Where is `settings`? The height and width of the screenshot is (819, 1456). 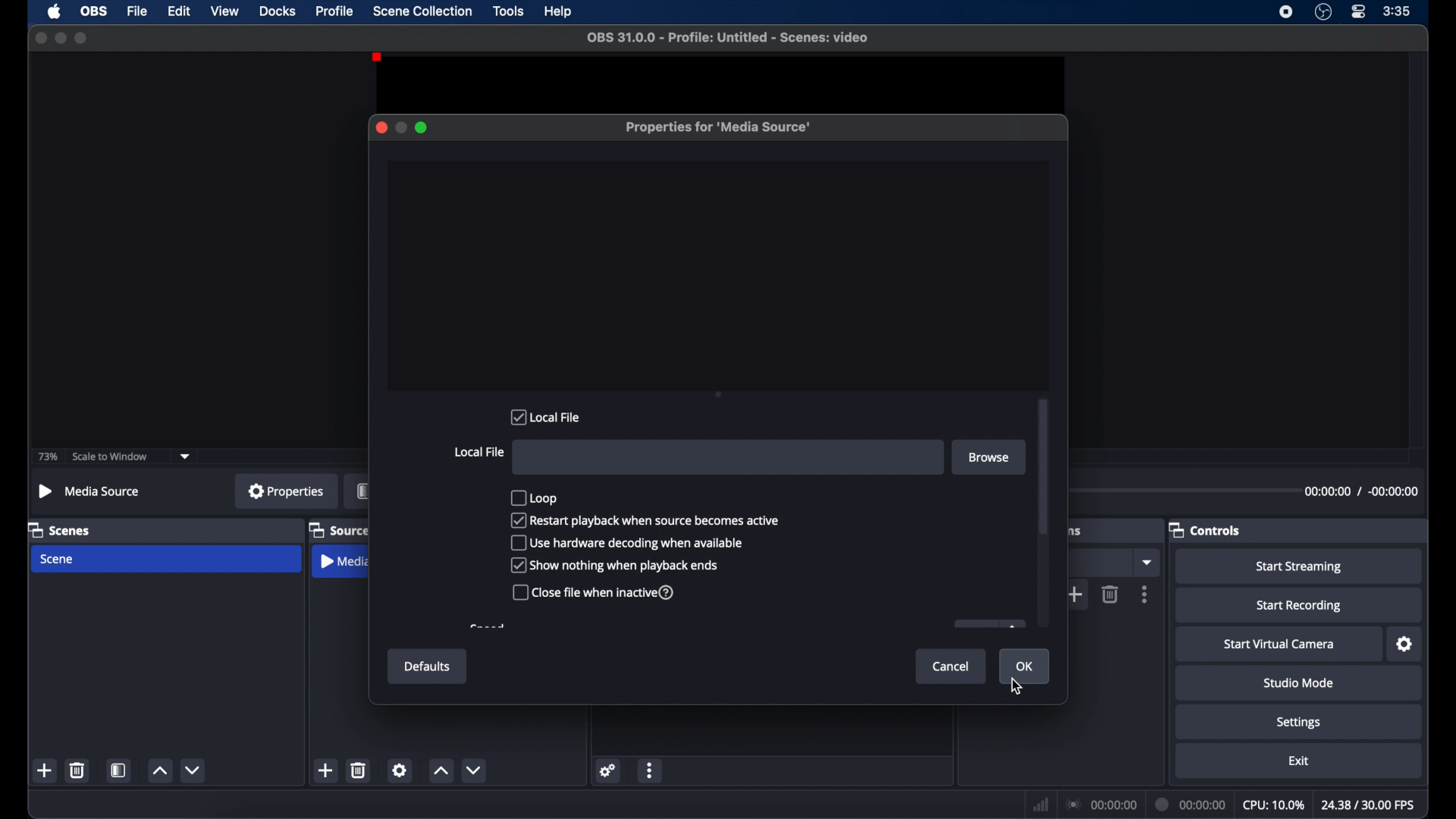
settings is located at coordinates (1404, 644).